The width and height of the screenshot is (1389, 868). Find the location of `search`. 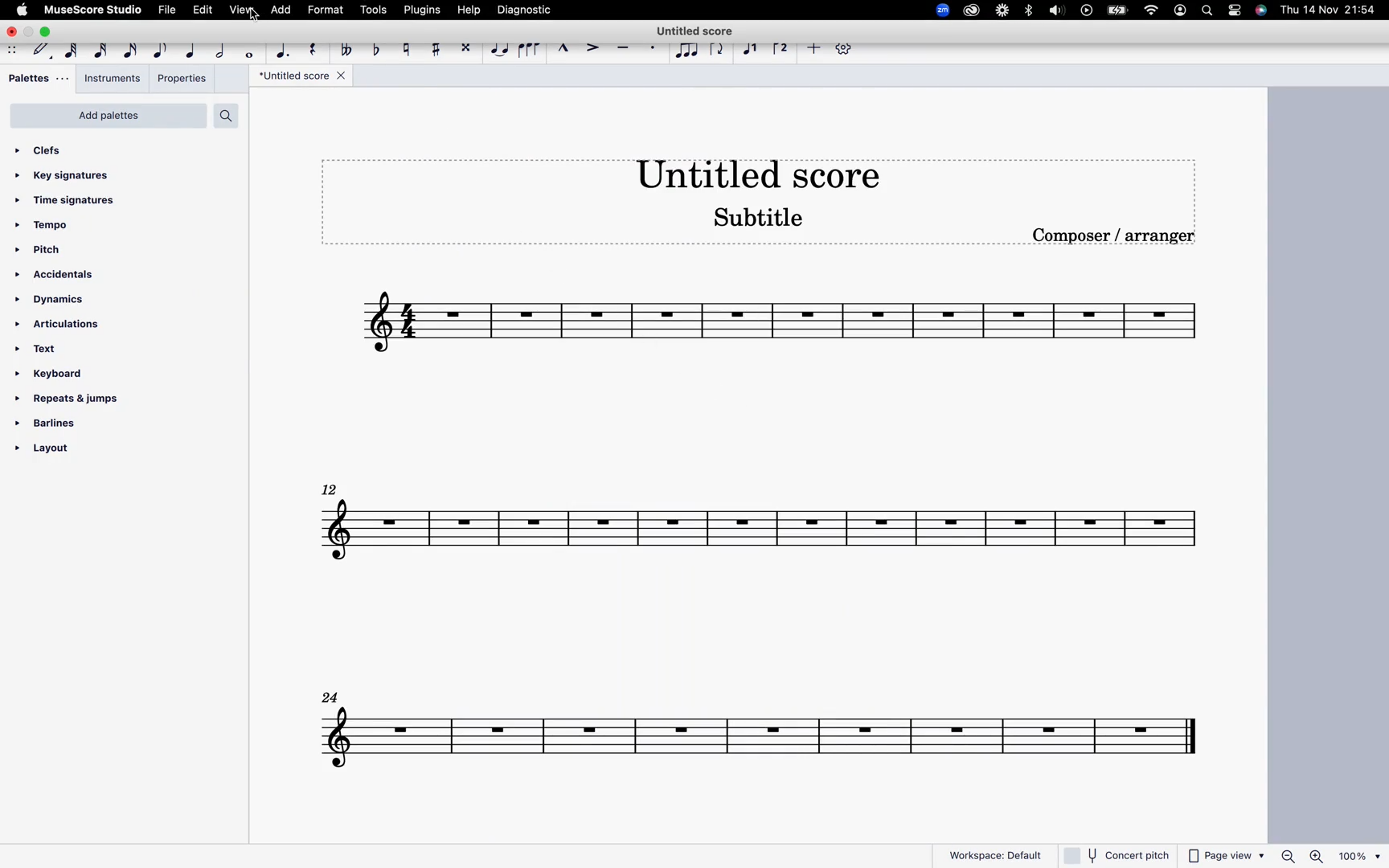

search is located at coordinates (226, 117).